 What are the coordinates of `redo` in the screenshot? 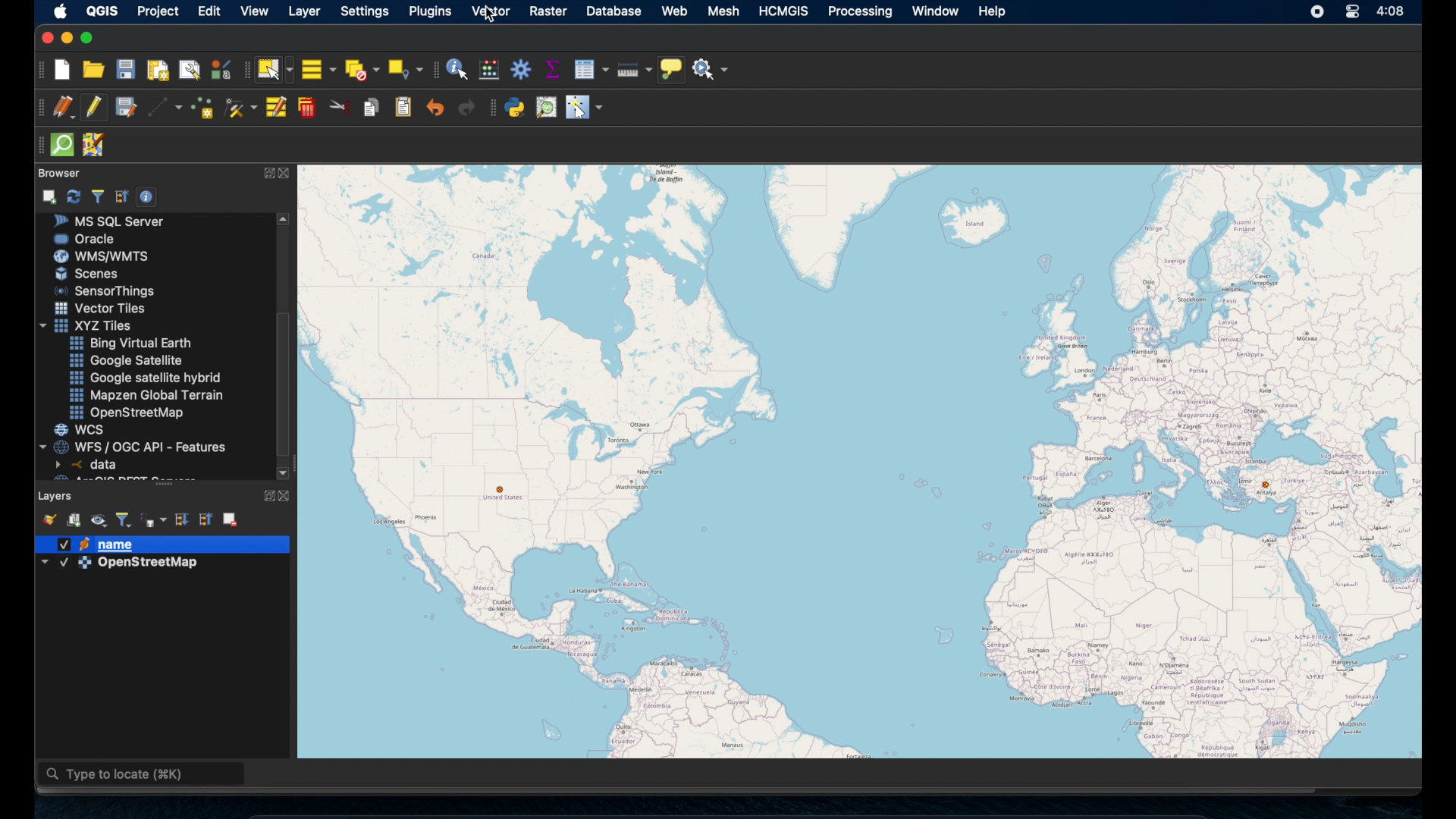 It's located at (463, 109).